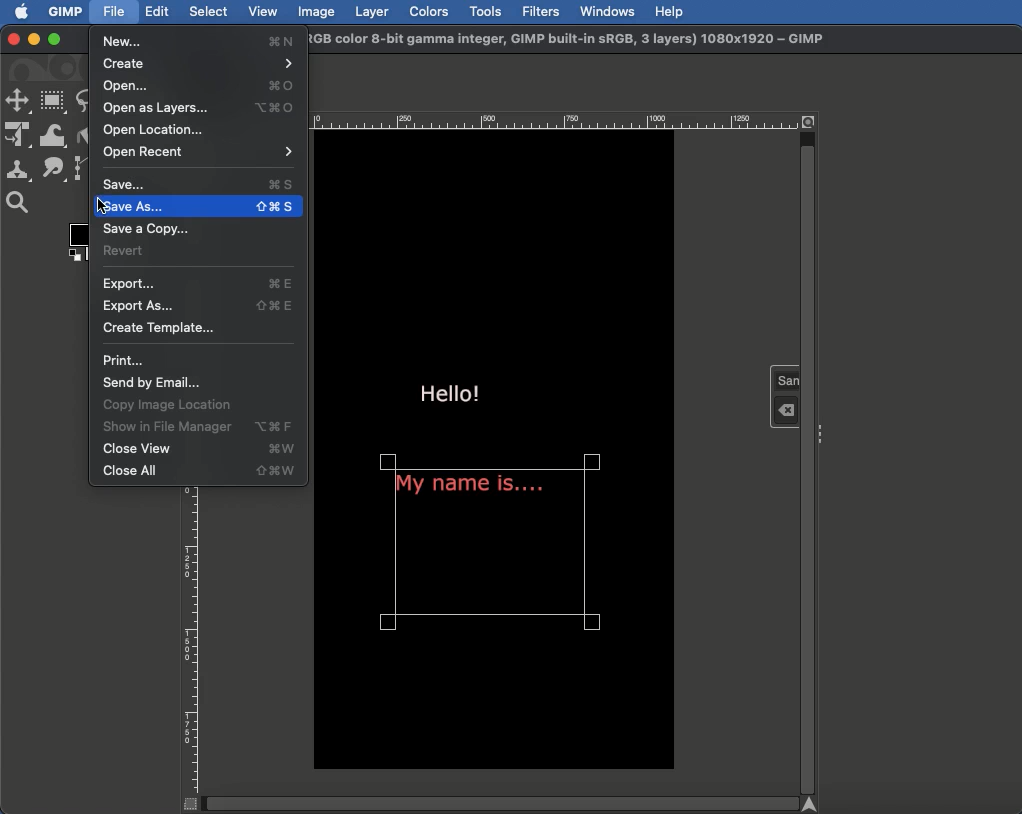 The height and width of the screenshot is (814, 1022). Describe the element at coordinates (53, 167) in the screenshot. I see `Smudge tool` at that location.